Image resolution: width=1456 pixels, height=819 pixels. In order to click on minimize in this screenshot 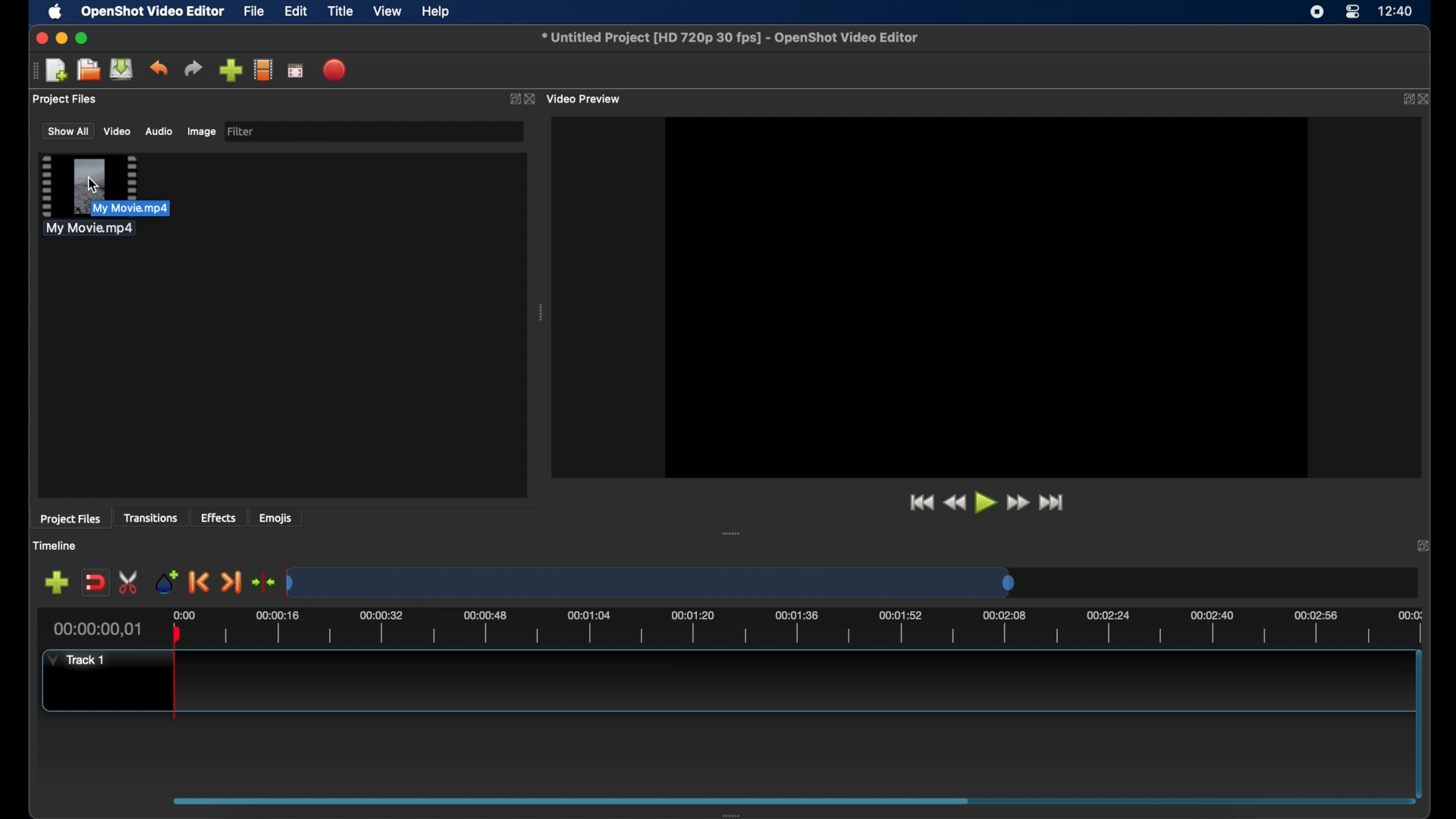, I will do `click(61, 38)`.